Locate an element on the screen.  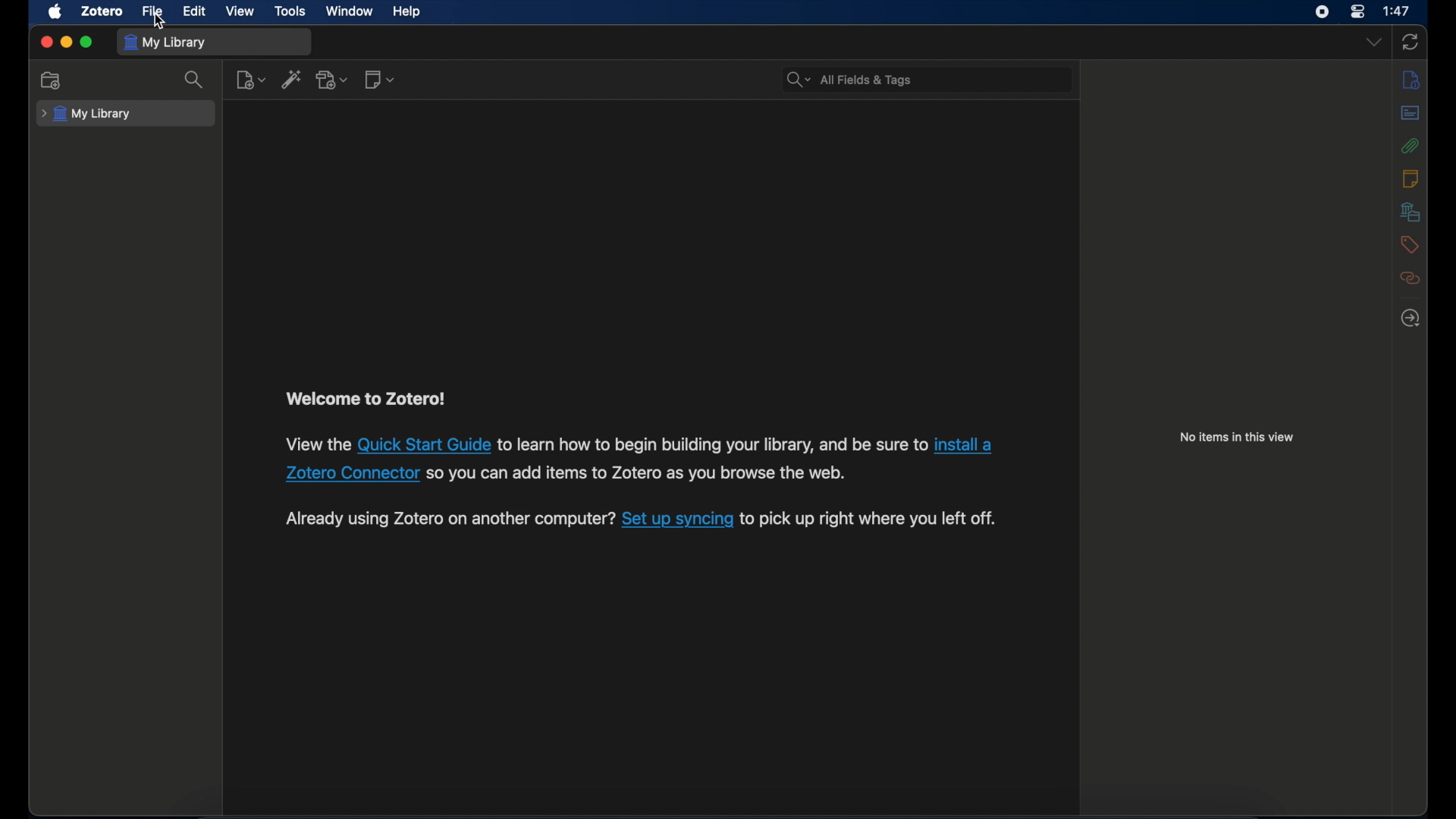
close is located at coordinates (46, 41).